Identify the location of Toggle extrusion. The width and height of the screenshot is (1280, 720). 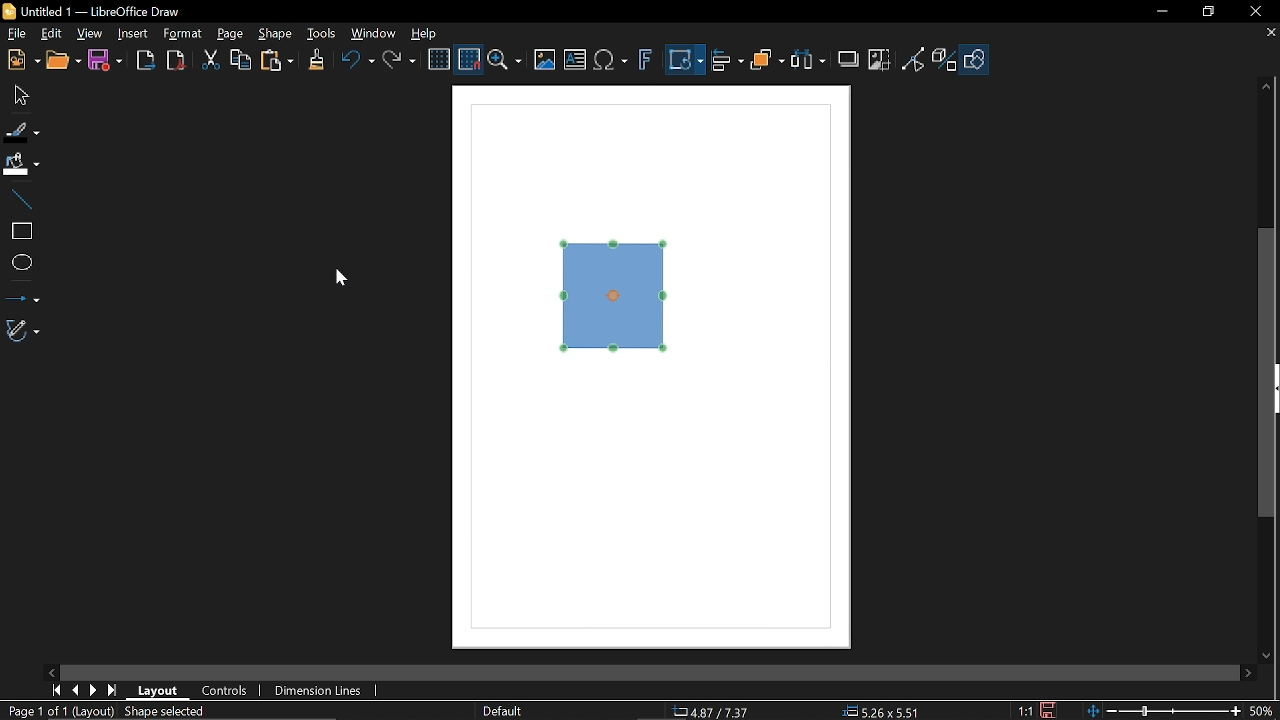
(945, 59).